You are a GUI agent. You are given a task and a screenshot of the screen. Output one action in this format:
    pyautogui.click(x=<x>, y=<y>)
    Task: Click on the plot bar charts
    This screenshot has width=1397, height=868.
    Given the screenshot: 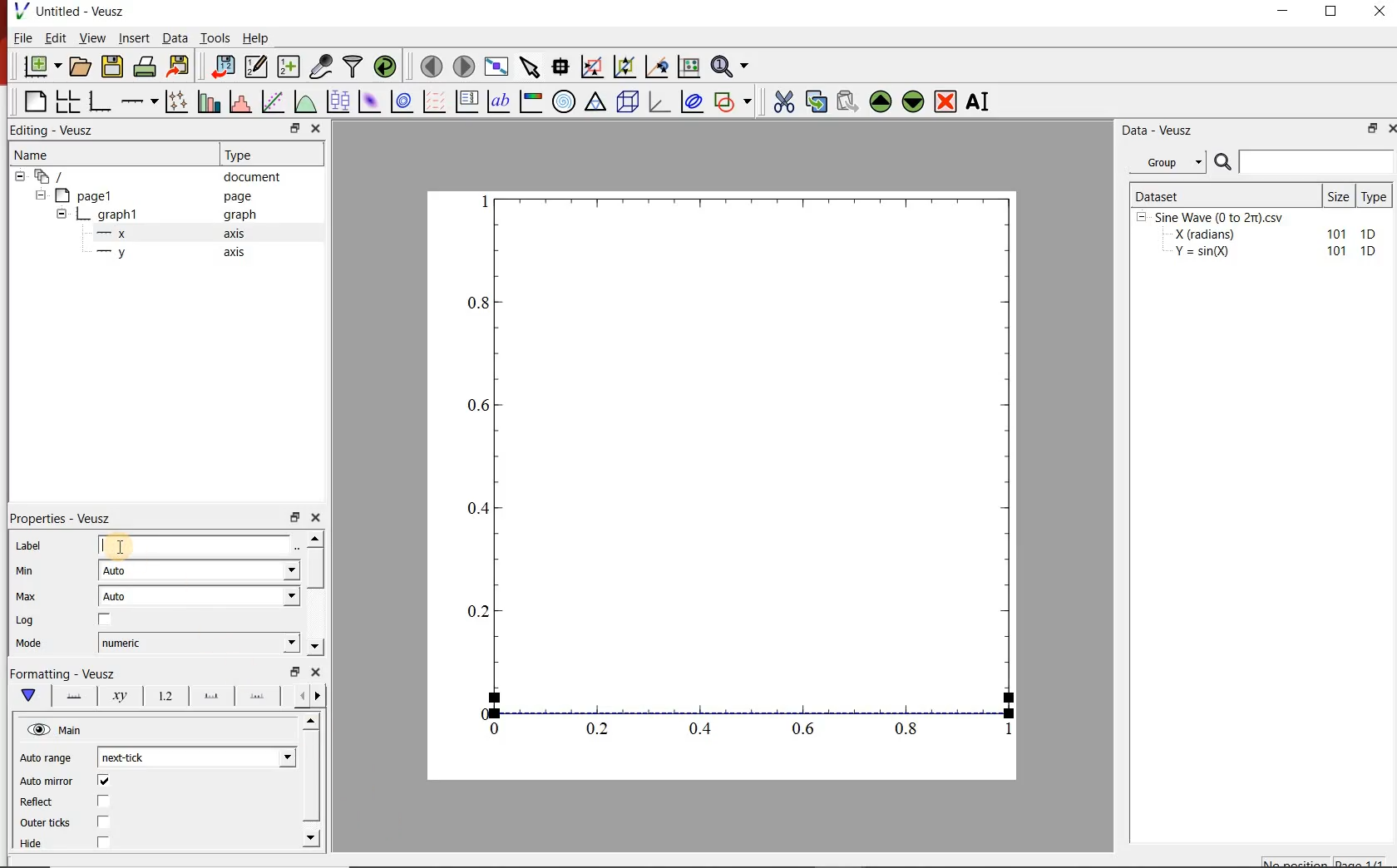 What is the action you would take?
    pyautogui.click(x=211, y=100)
    